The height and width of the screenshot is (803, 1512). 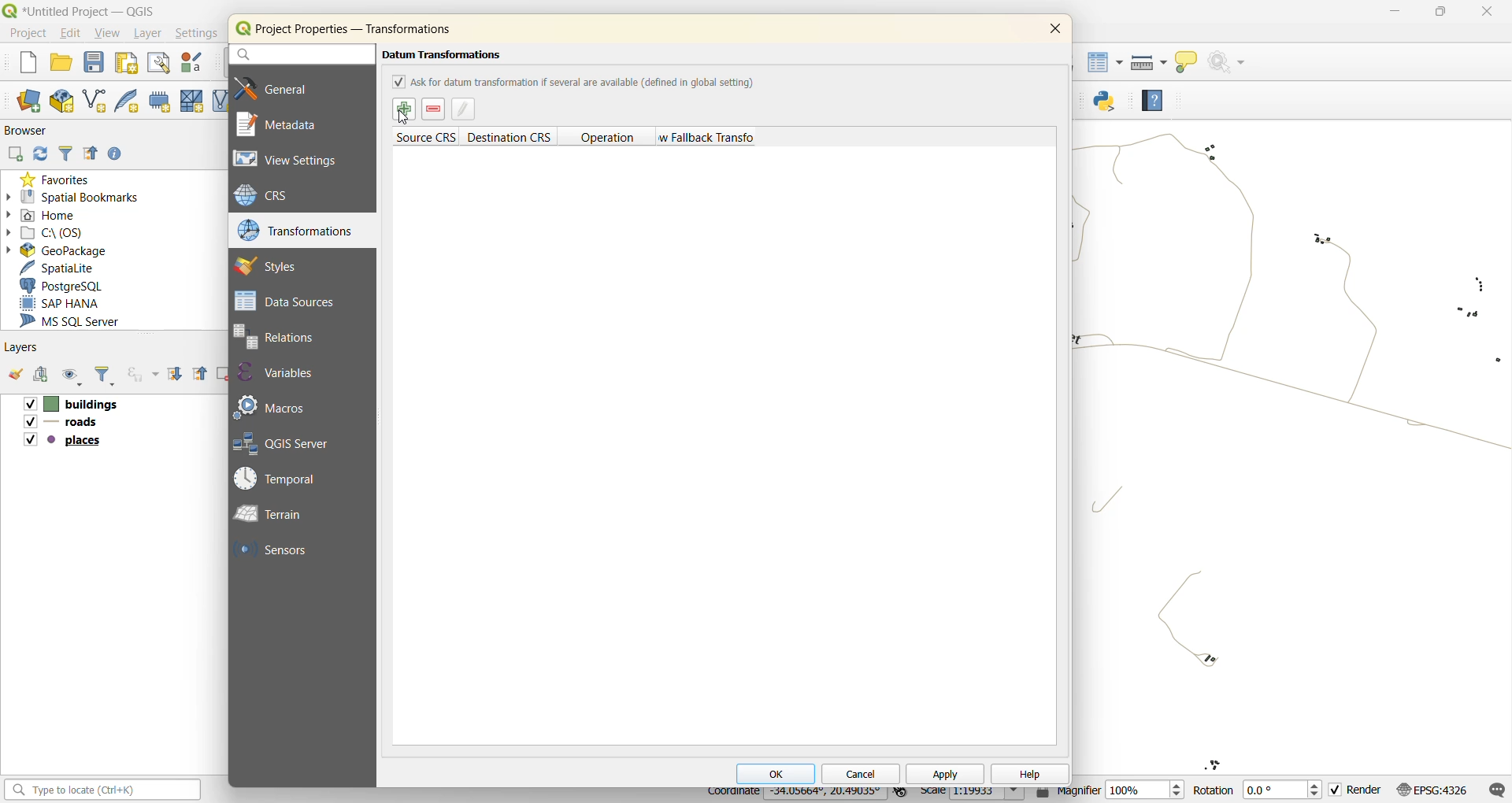 I want to click on transformations, so click(x=297, y=230).